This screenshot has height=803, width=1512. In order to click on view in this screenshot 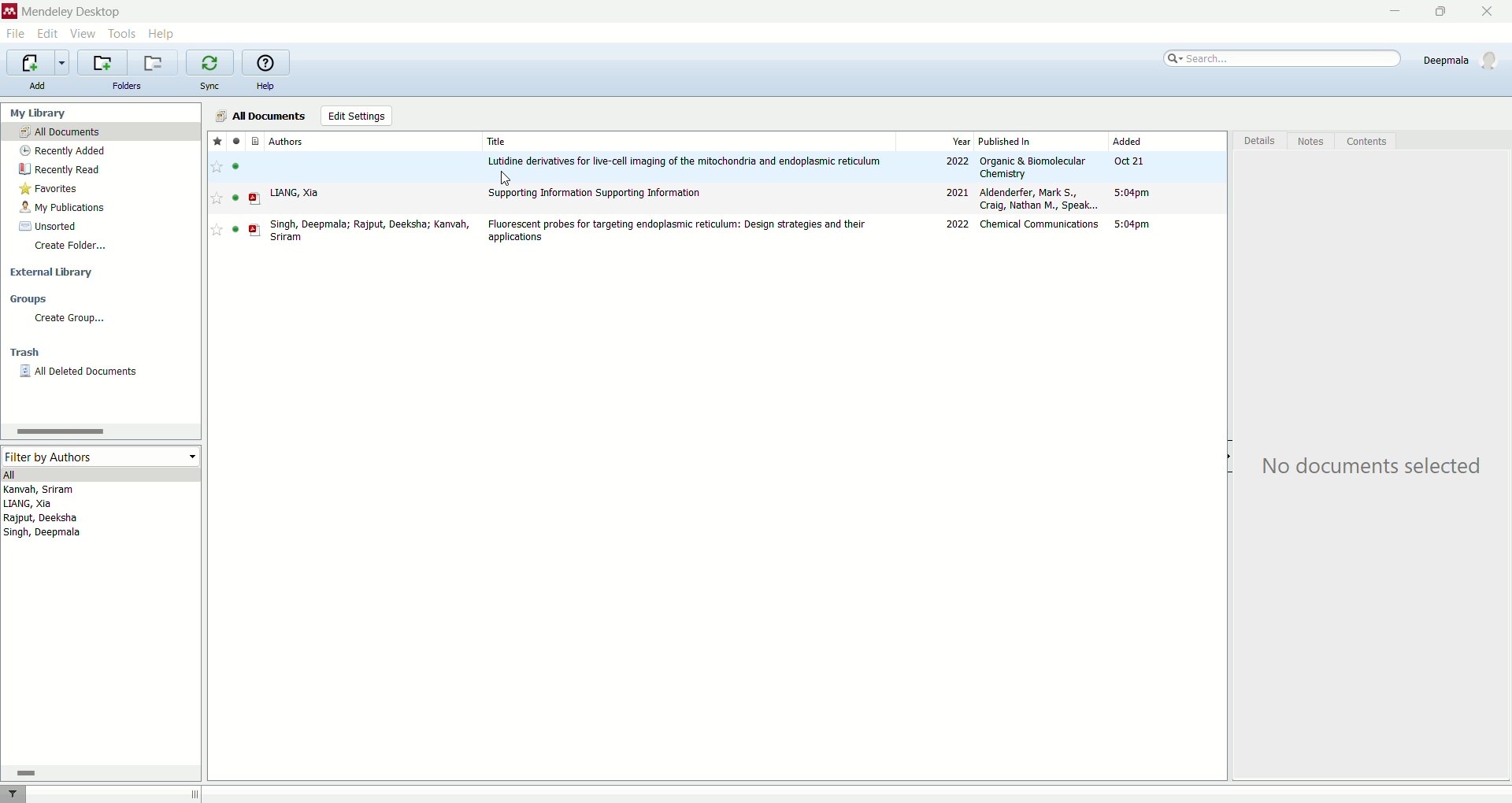, I will do `click(84, 35)`.